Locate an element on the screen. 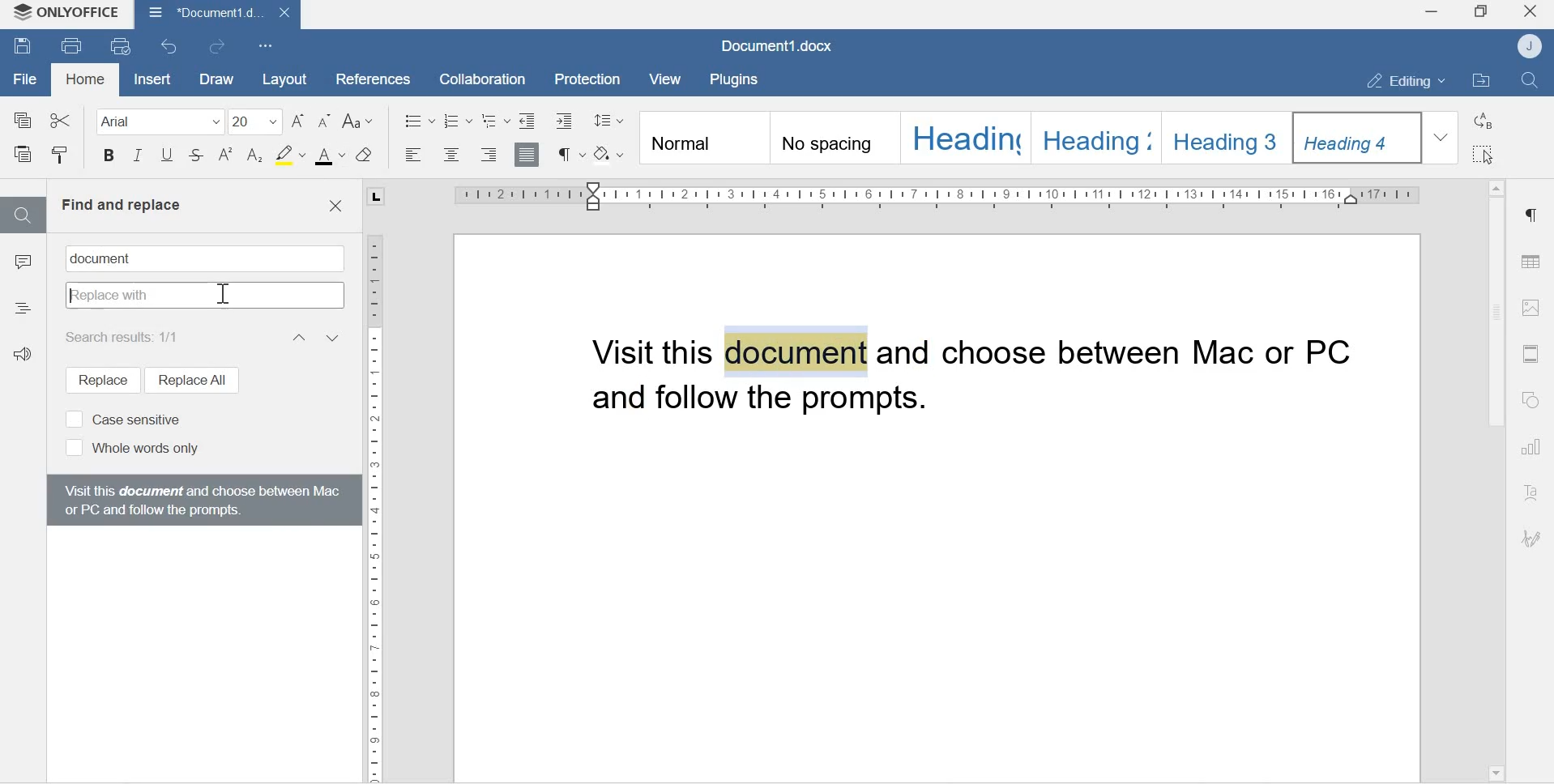 This screenshot has width=1554, height=784. Heading 2 is located at coordinates (1098, 136).